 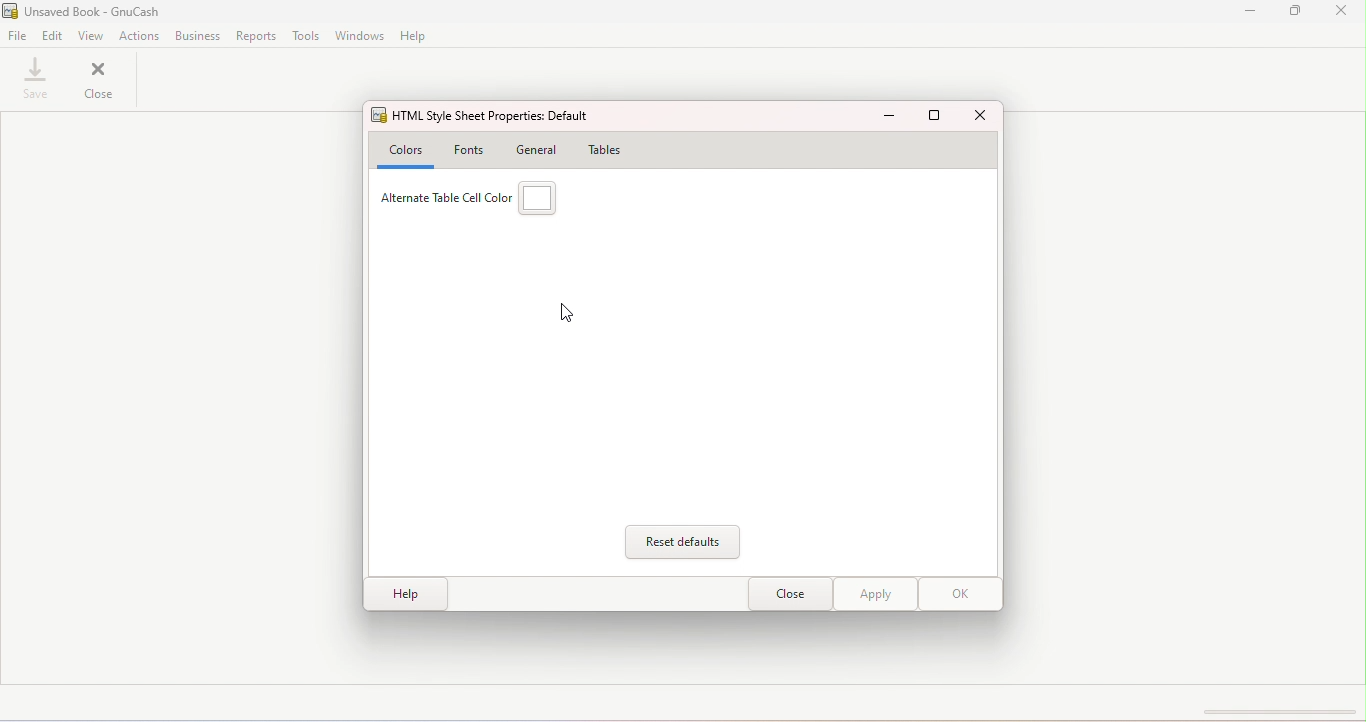 I want to click on OK, so click(x=961, y=593).